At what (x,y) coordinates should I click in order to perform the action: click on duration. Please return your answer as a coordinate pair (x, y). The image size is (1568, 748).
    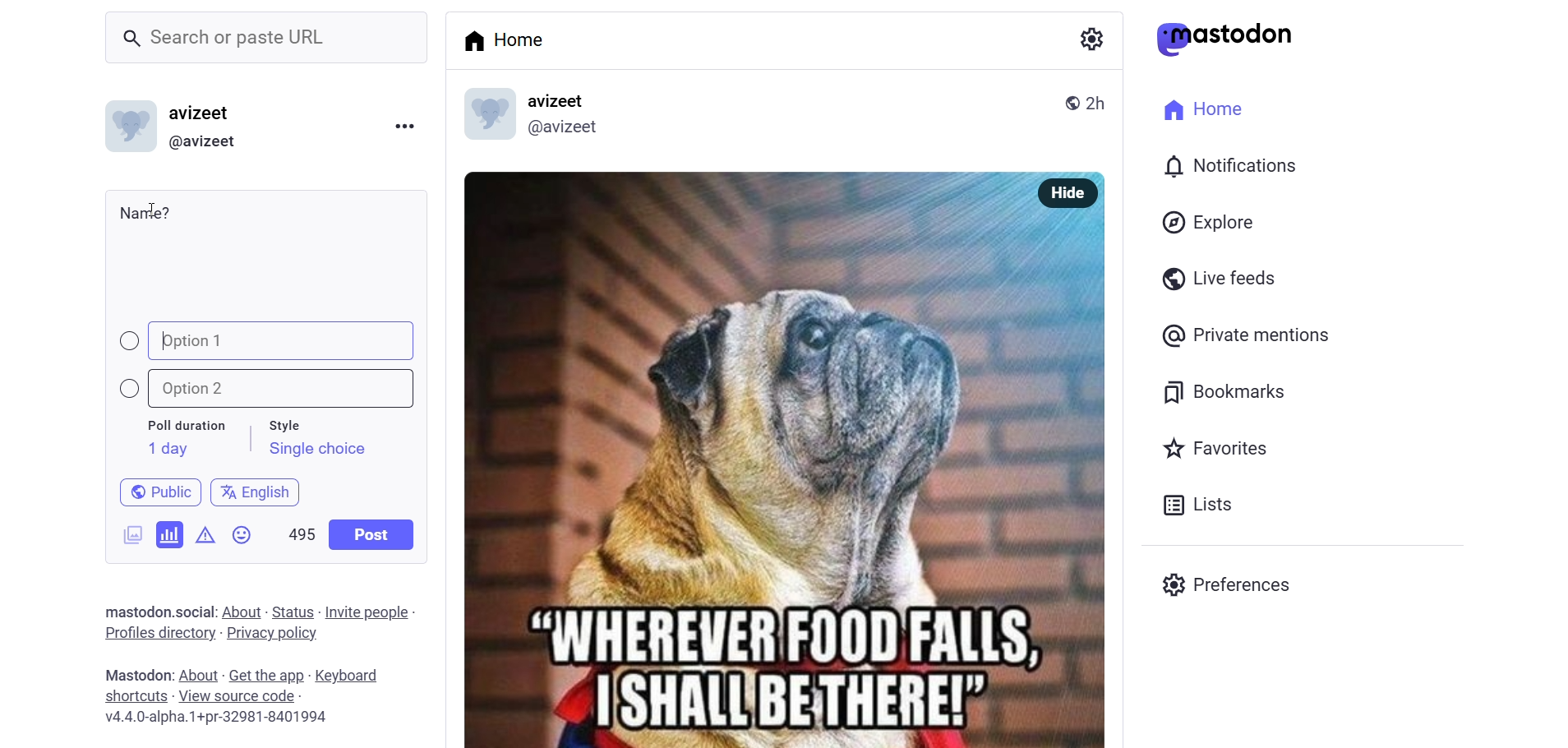
    Looking at the image, I should click on (187, 427).